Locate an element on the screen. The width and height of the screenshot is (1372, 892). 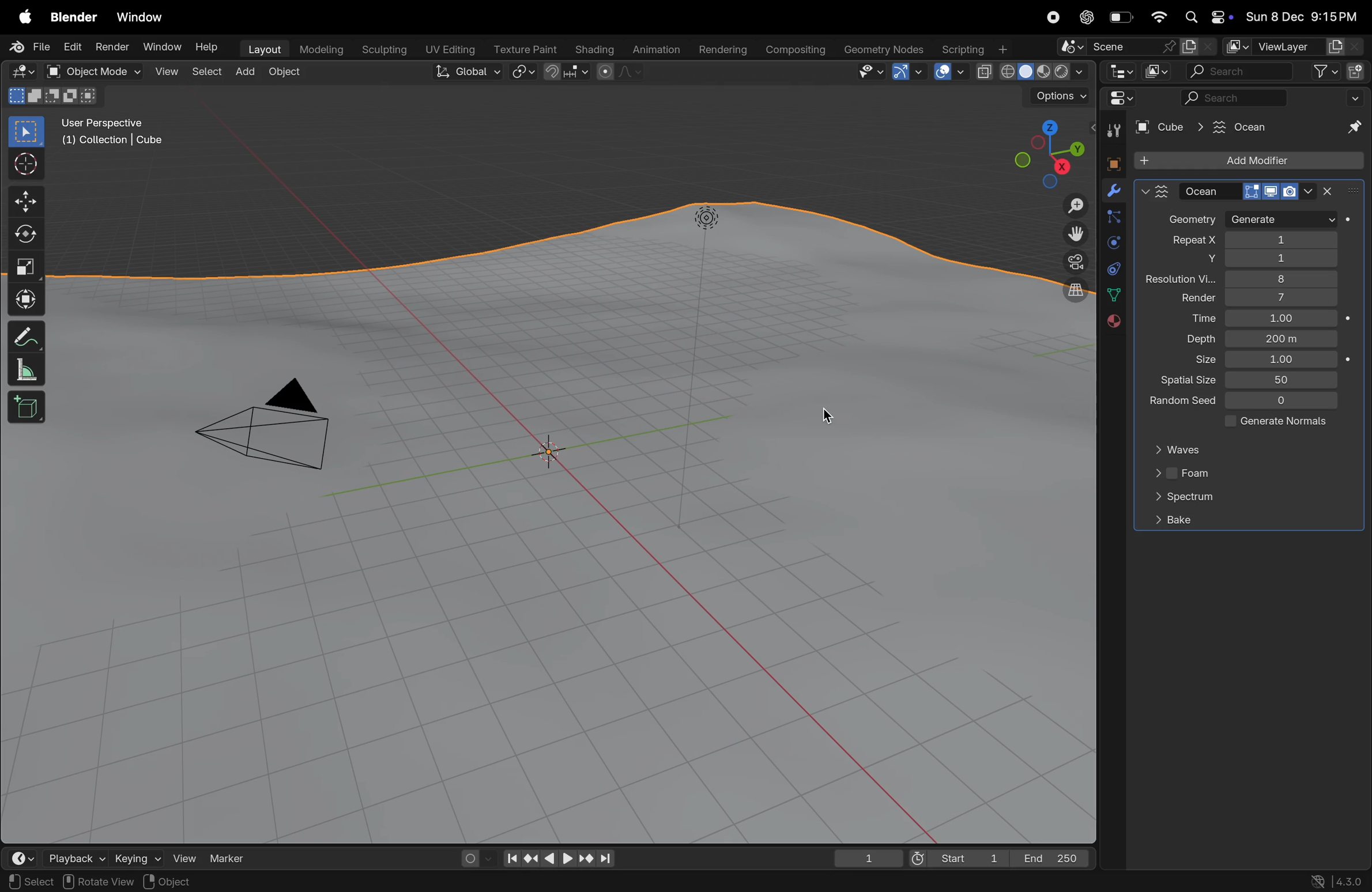
view is located at coordinates (183, 856).